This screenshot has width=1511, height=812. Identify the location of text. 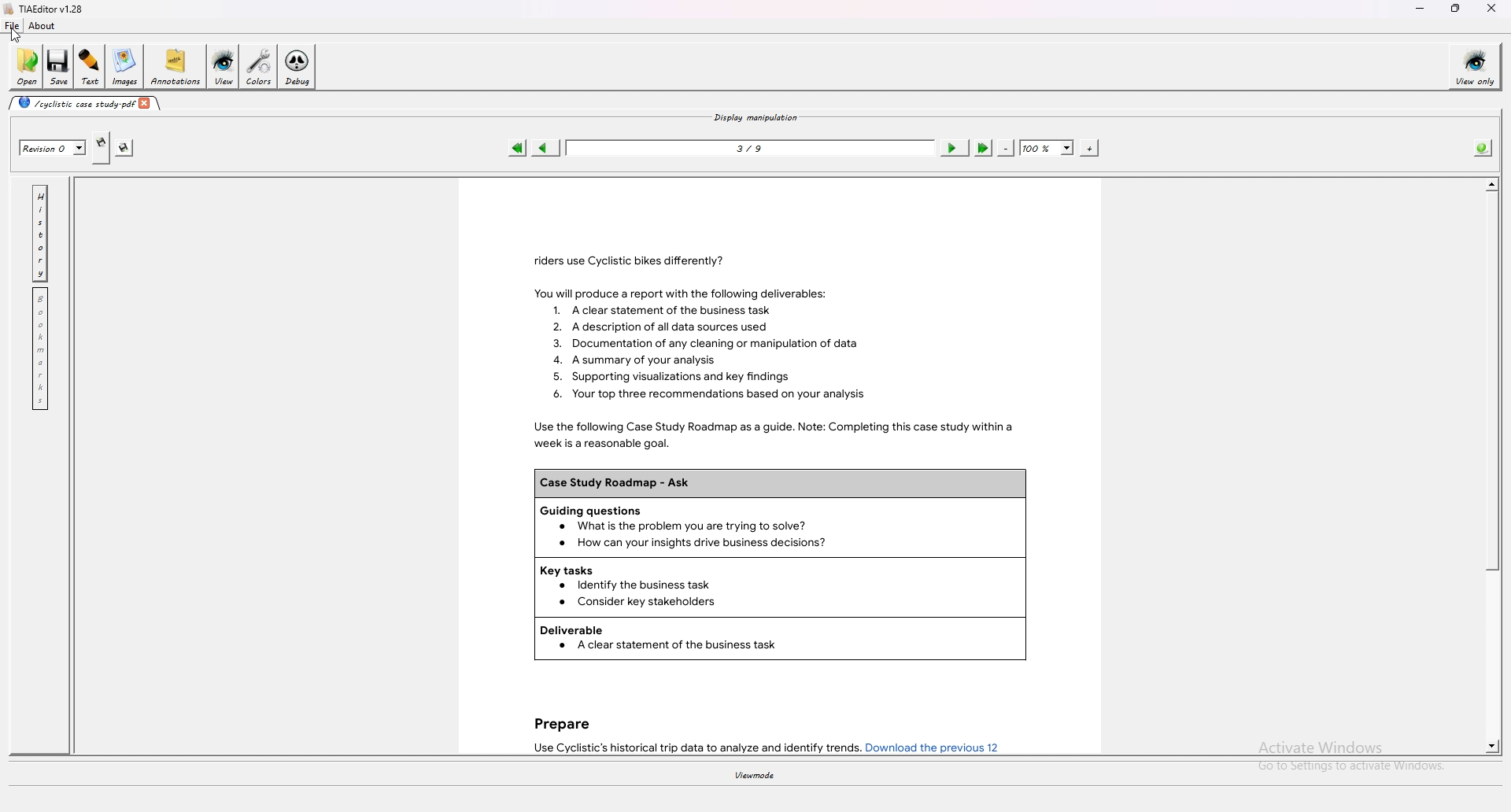
(91, 66).